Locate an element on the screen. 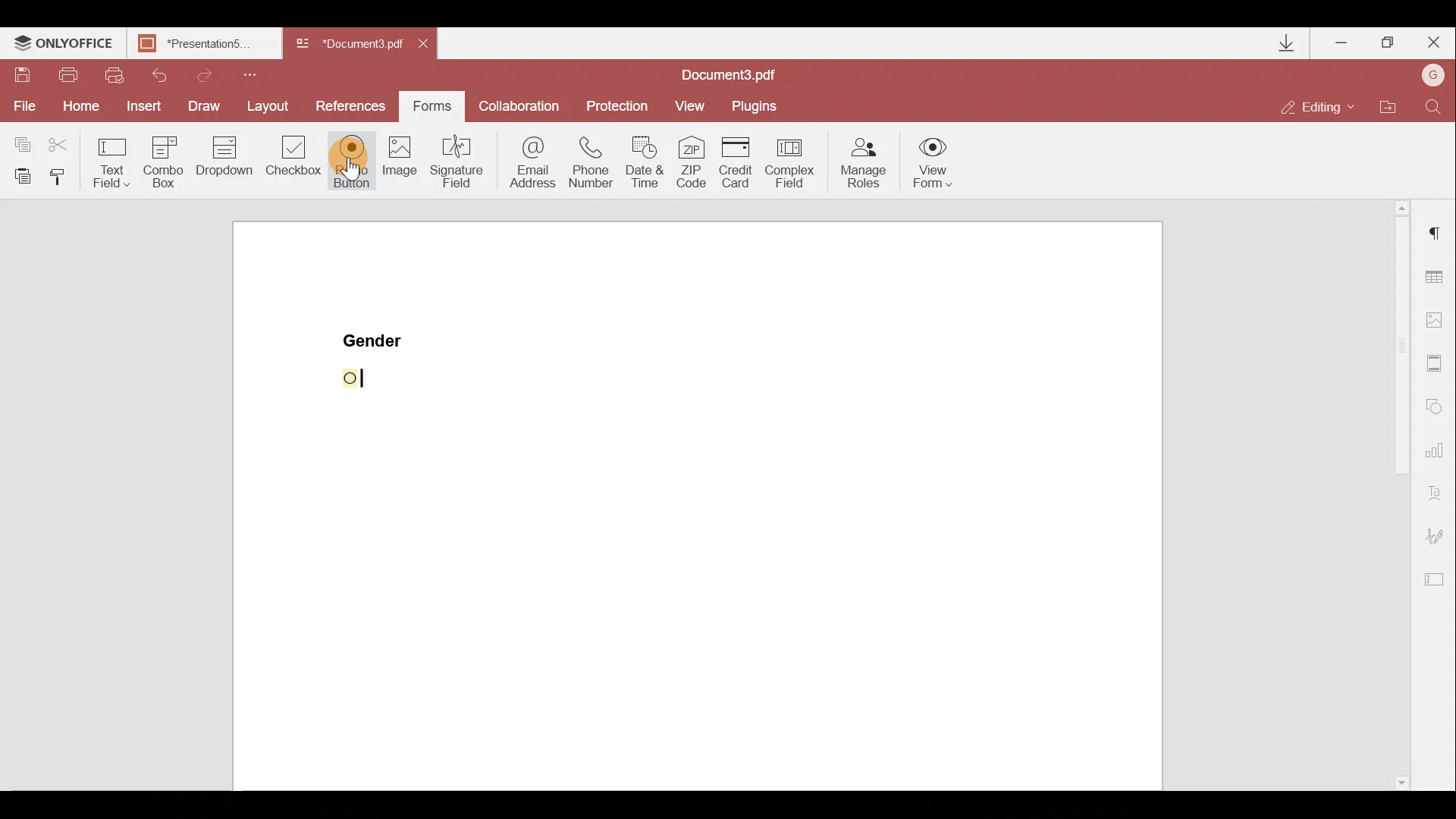 The height and width of the screenshot is (819, 1456). Phone number is located at coordinates (597, 161).